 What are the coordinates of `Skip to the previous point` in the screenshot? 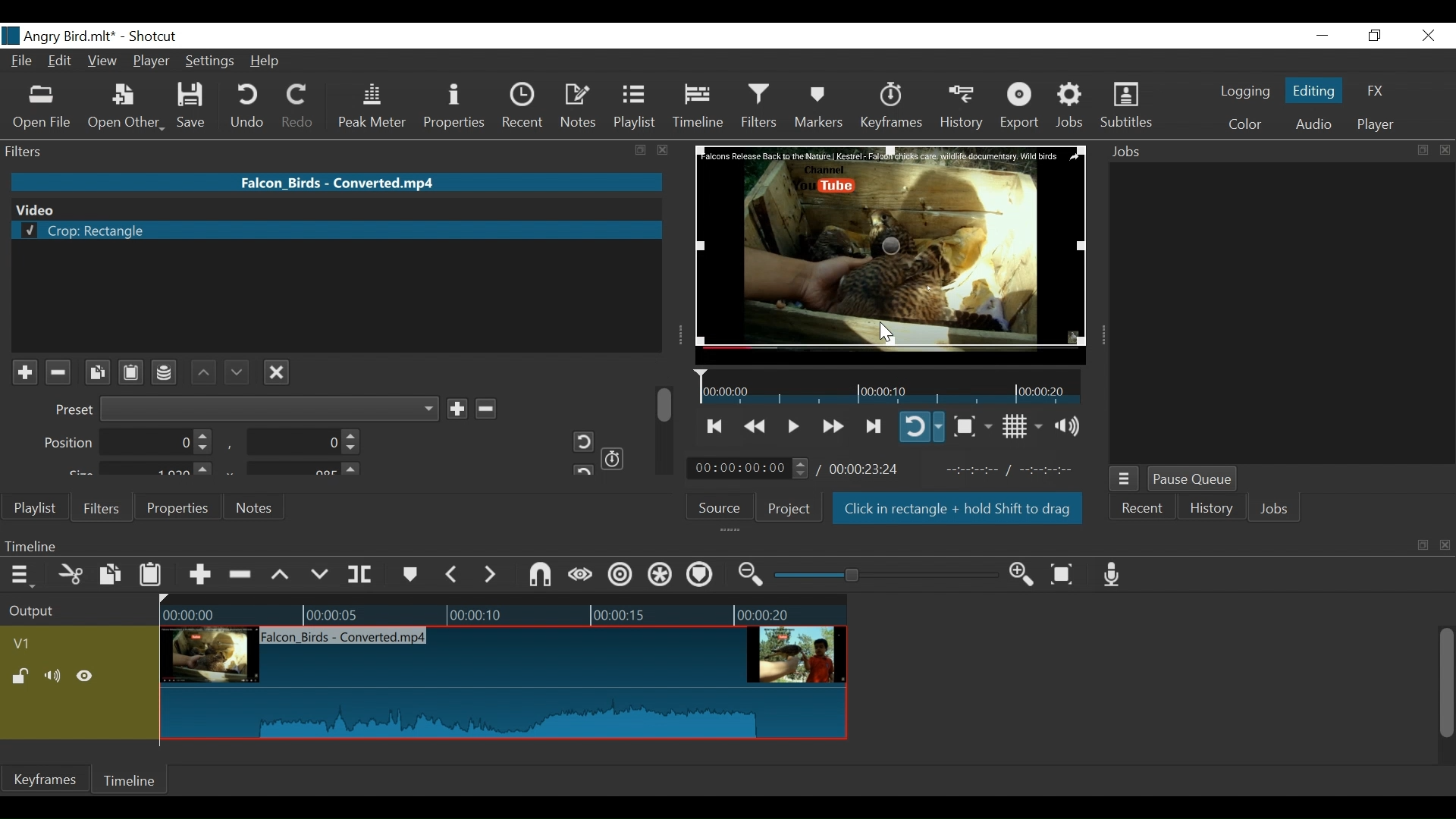 It's located at (716, 426).